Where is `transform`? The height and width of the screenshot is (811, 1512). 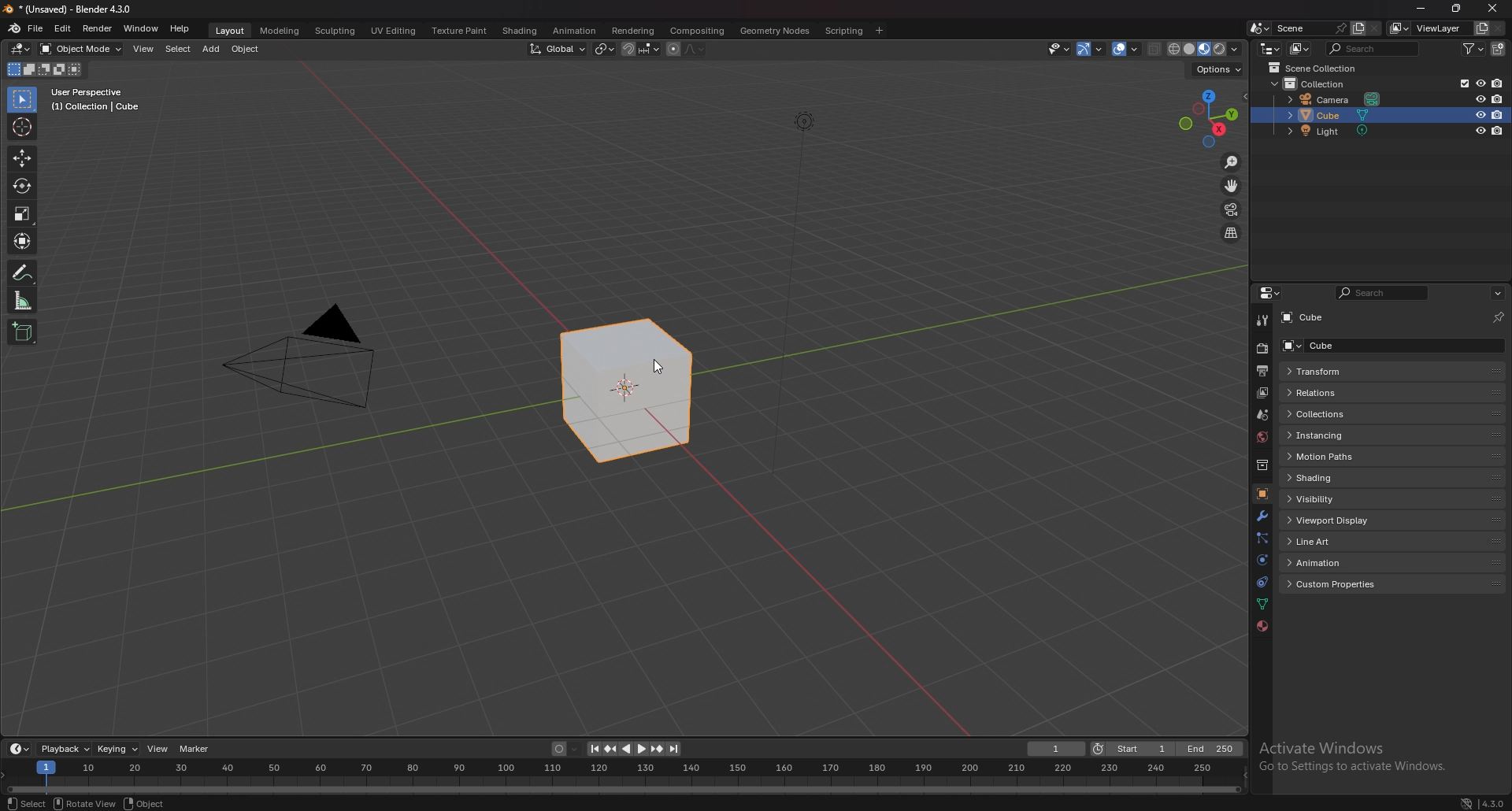 transform is located at coordinates (1368, 372).